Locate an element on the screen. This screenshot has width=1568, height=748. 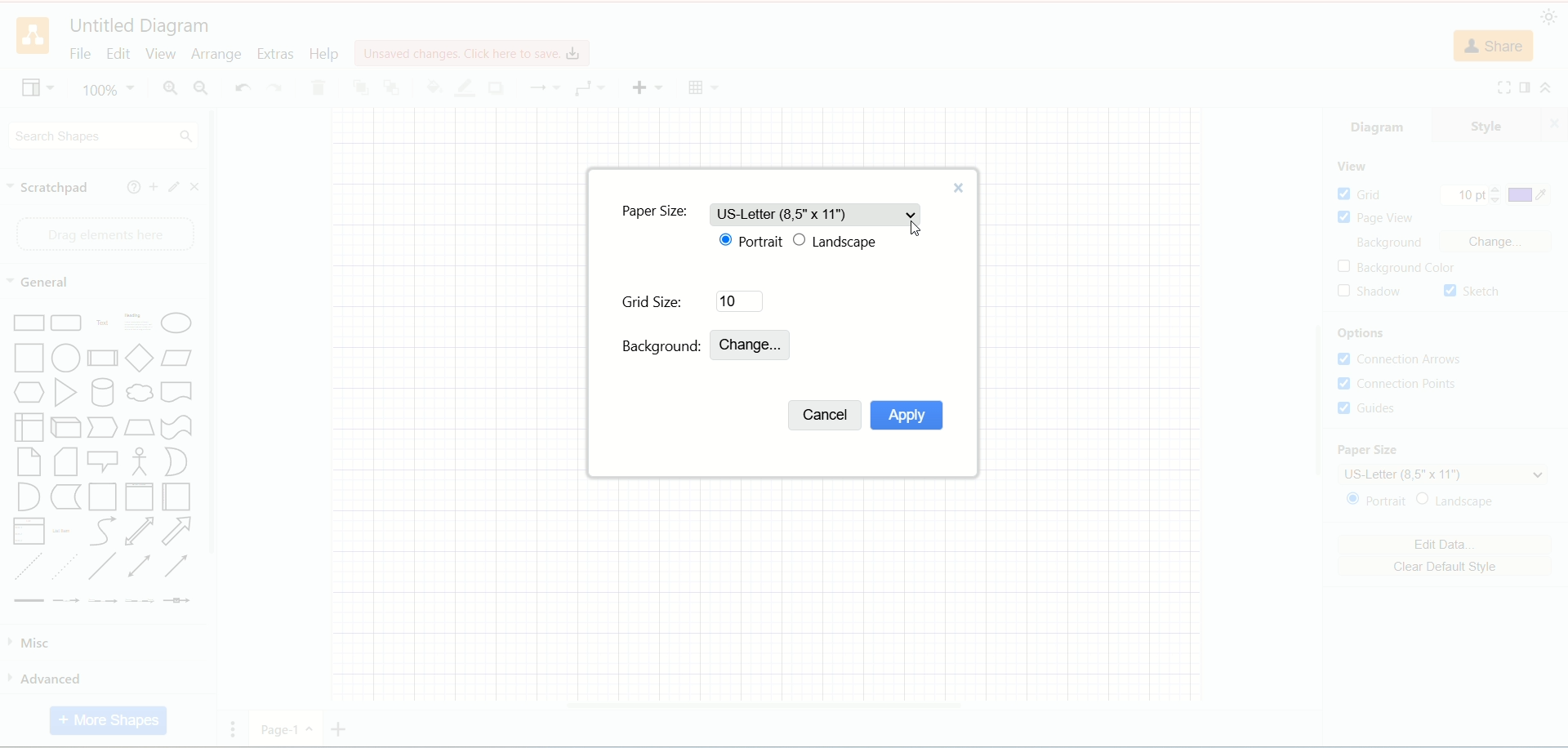
Line is located at coordinates (103, 567).